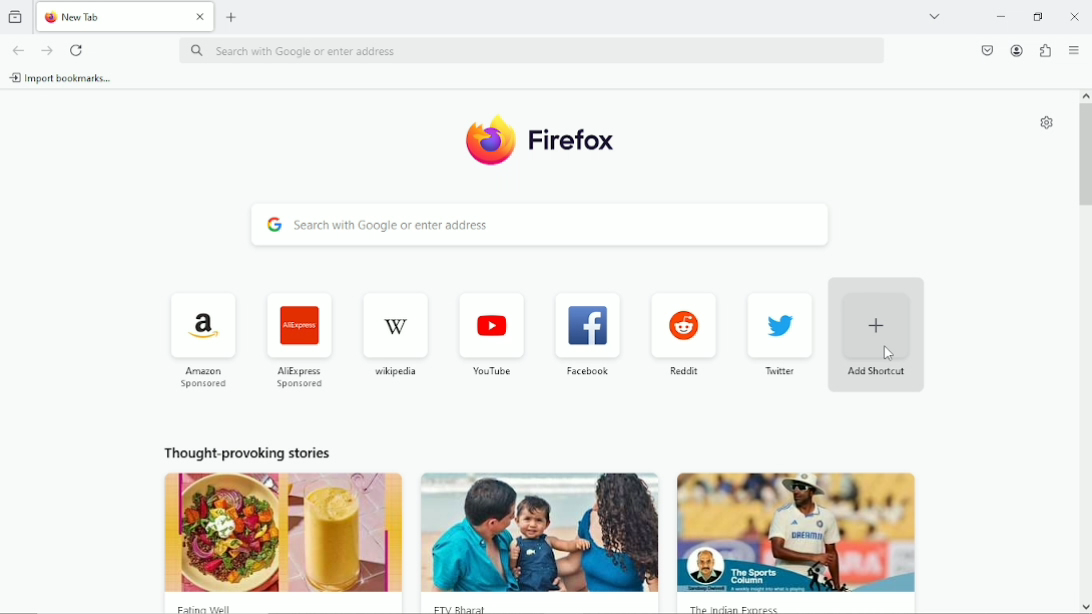 The image size is (1092, 614). I want to click on Amazon, so click(200, 338).